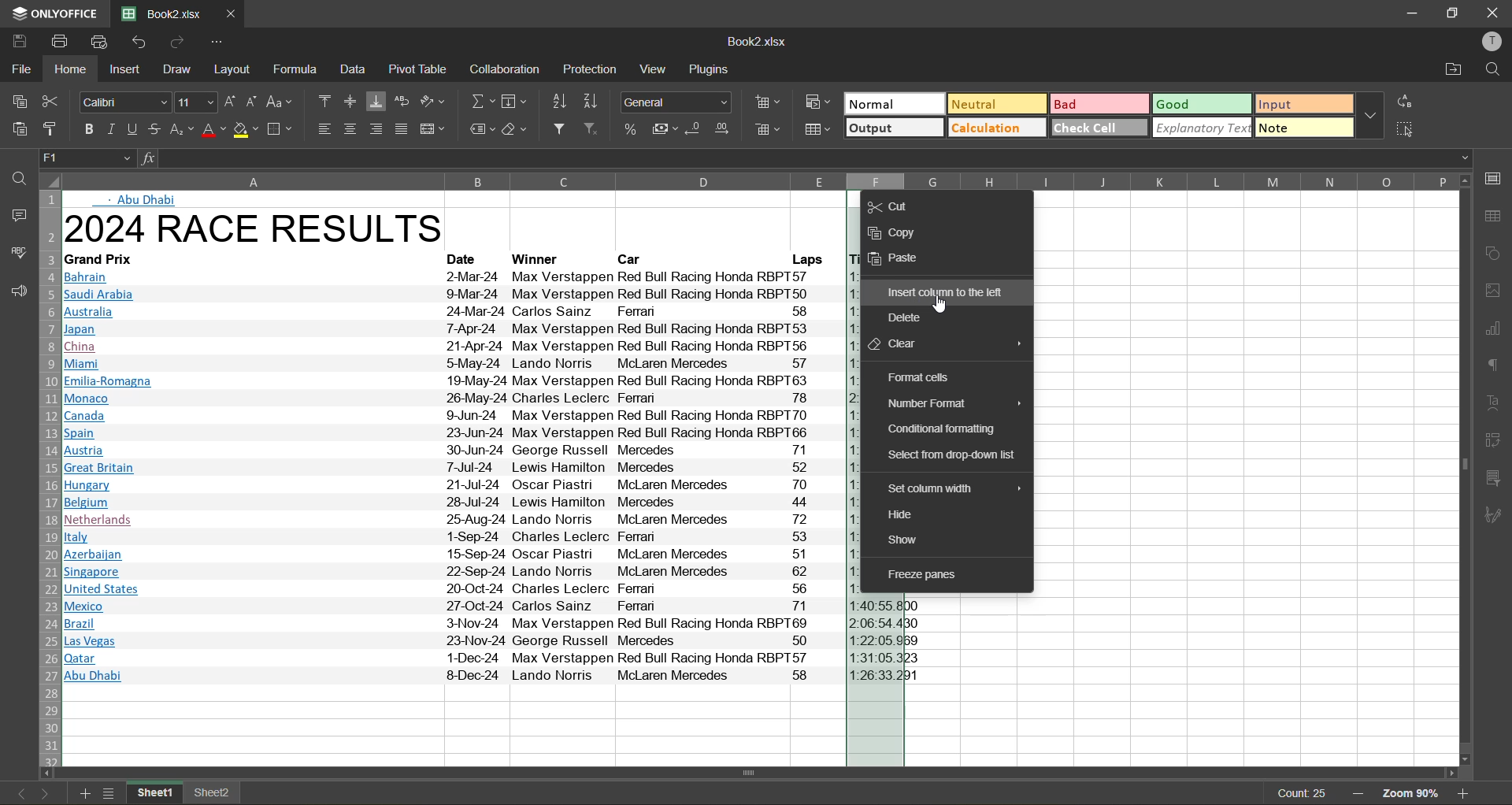 The height and width of the screenshot is (805, 1512). I want to click on item count: Count 25, so click(1299, 793).